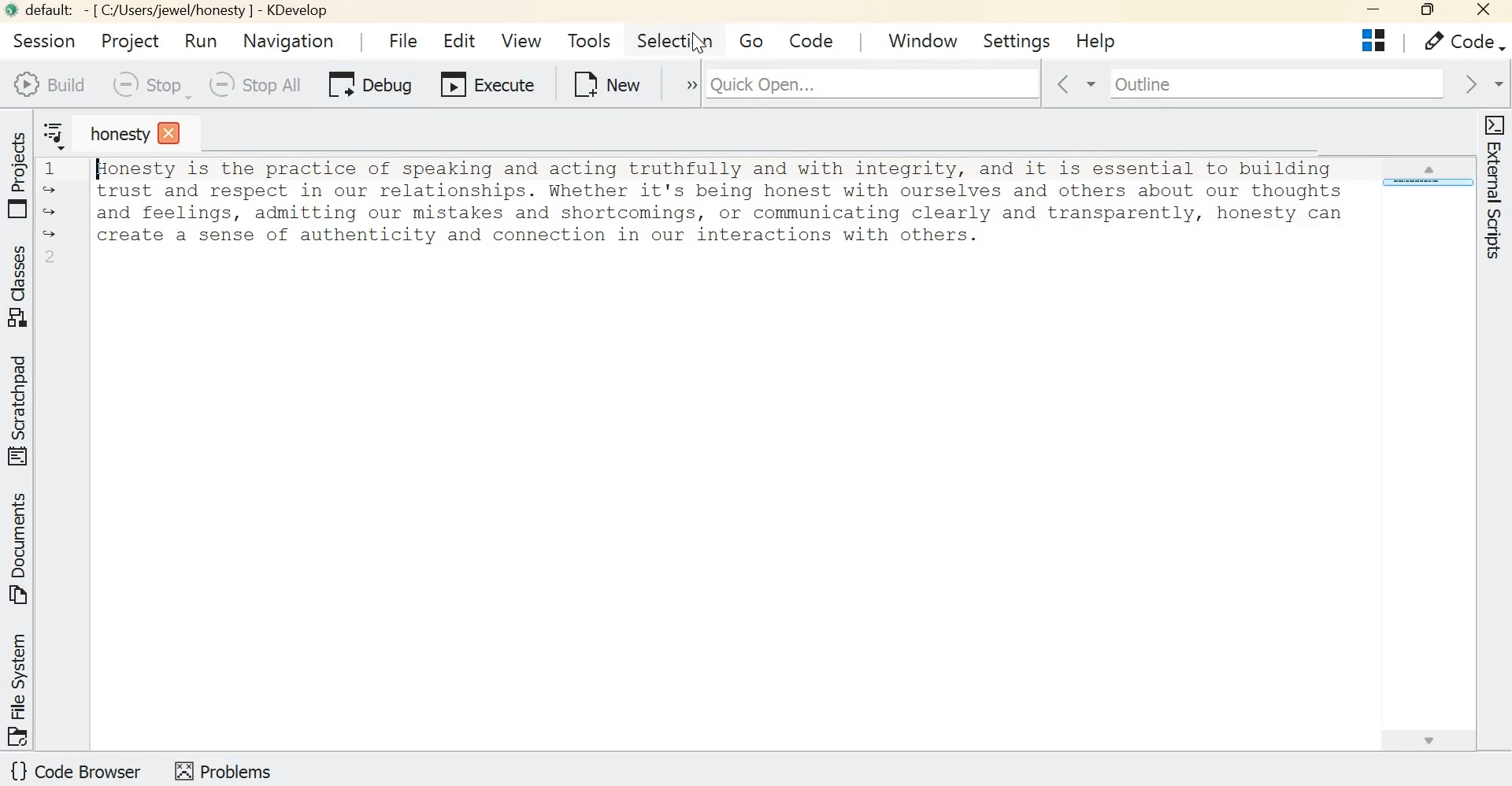 The image size is (1512, 786). I want to click on View, so click(521, 39).